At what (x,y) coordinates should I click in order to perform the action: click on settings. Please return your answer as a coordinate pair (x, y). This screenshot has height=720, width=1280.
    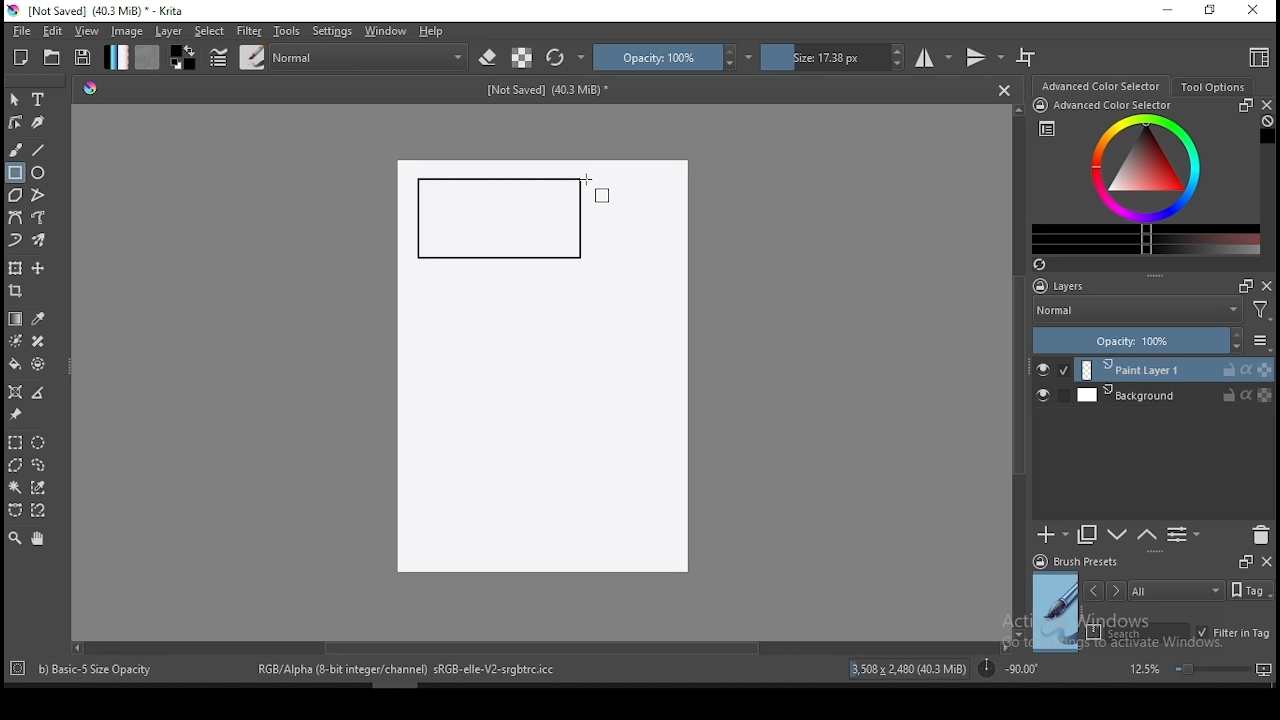
    Looking at the image, I should click on (332, 31).